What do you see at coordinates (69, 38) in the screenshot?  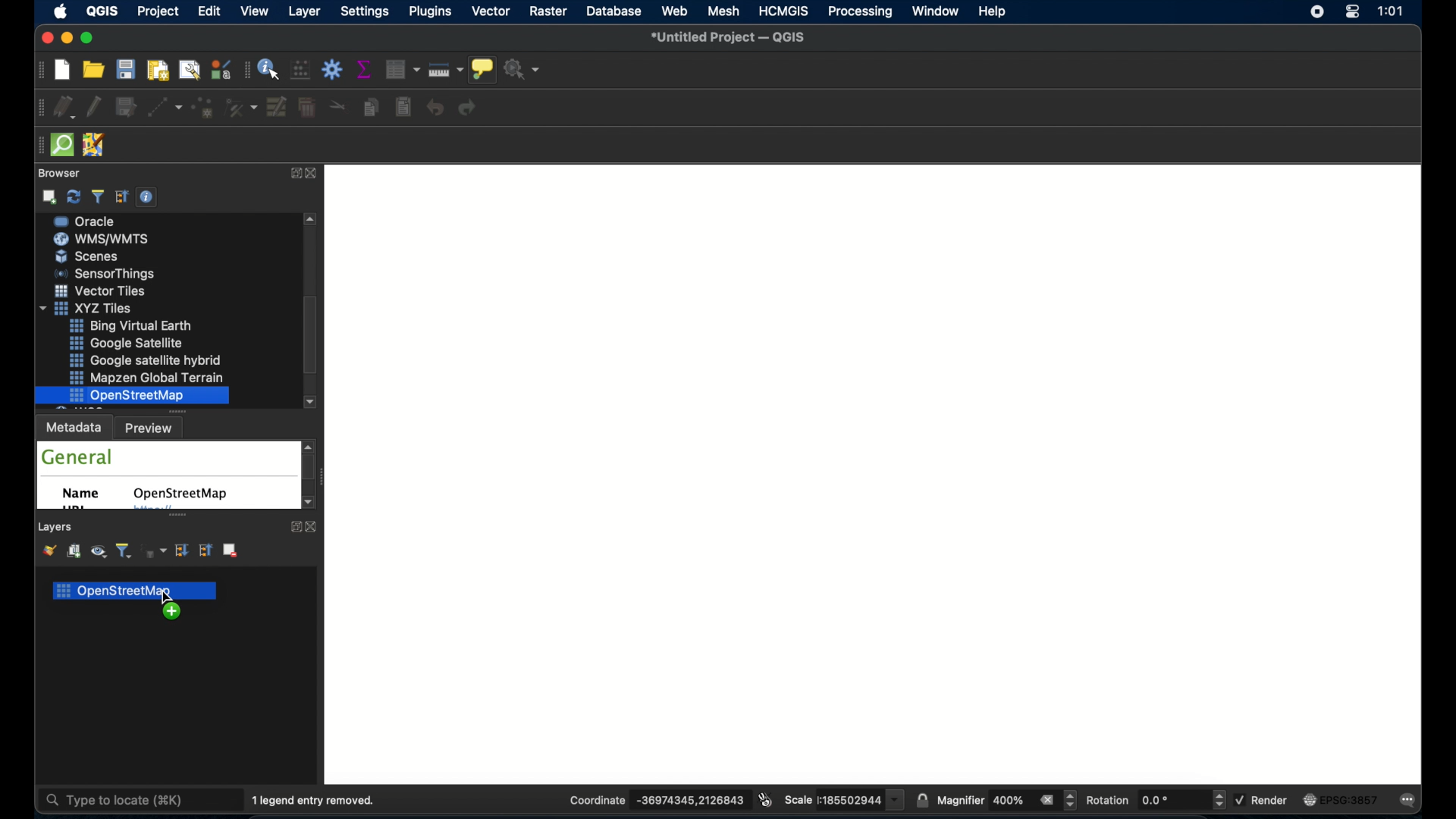 I see `minimize` at bounding box center [69, 38].